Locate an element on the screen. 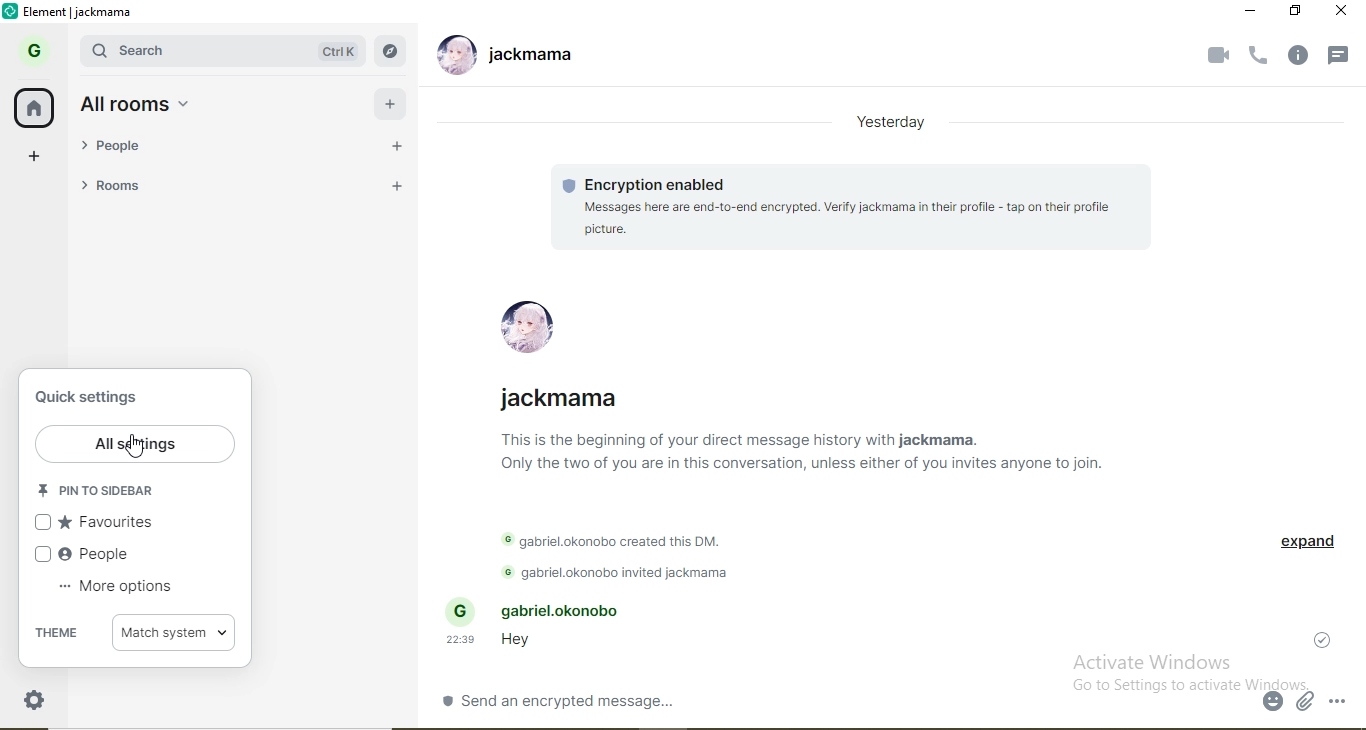 The width and height of the screenshot is (1366, 730). jackmama is located at coordinates (534, 57).